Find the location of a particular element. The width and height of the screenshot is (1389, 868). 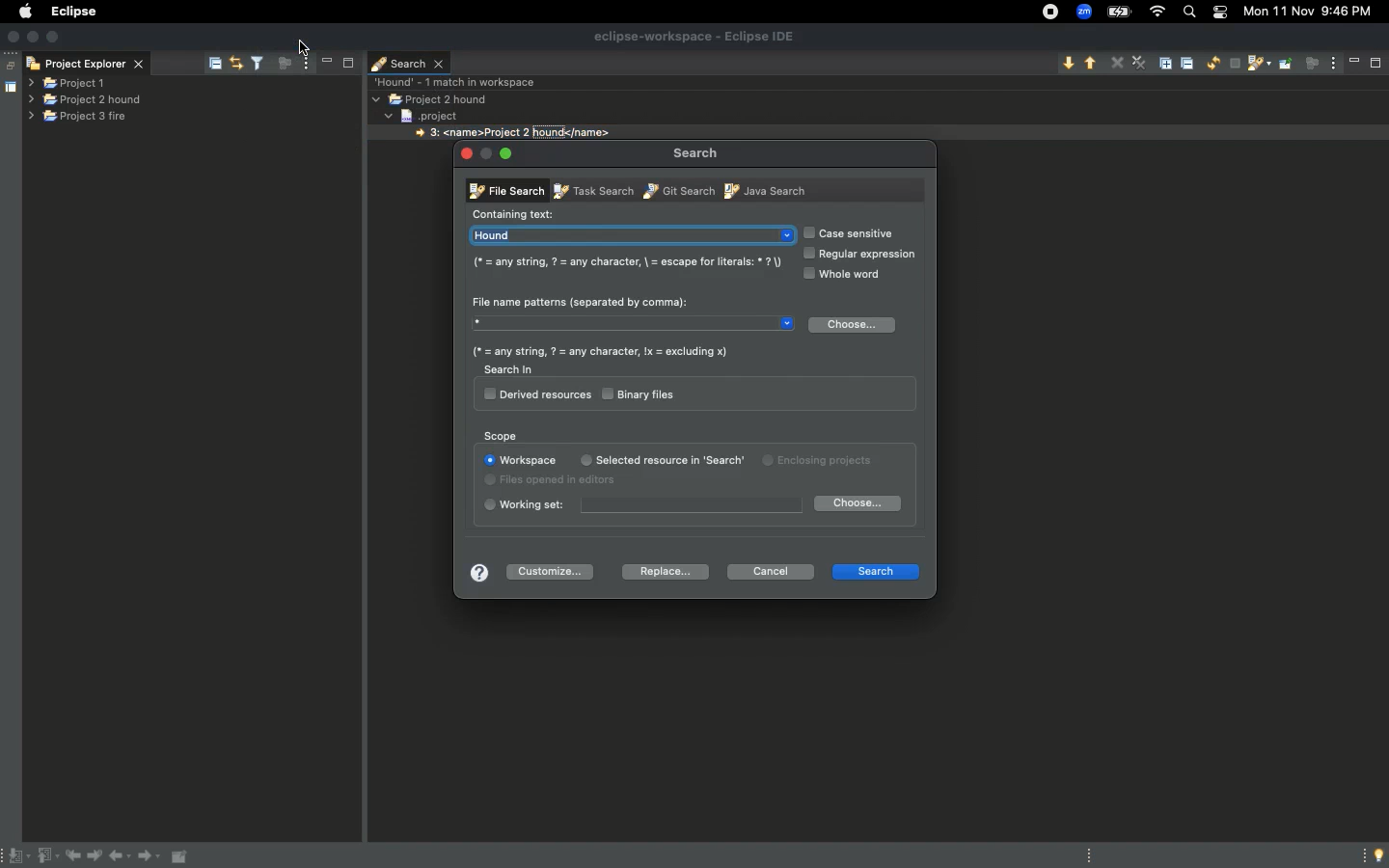

link with editor is located at coordinates (238, 62).